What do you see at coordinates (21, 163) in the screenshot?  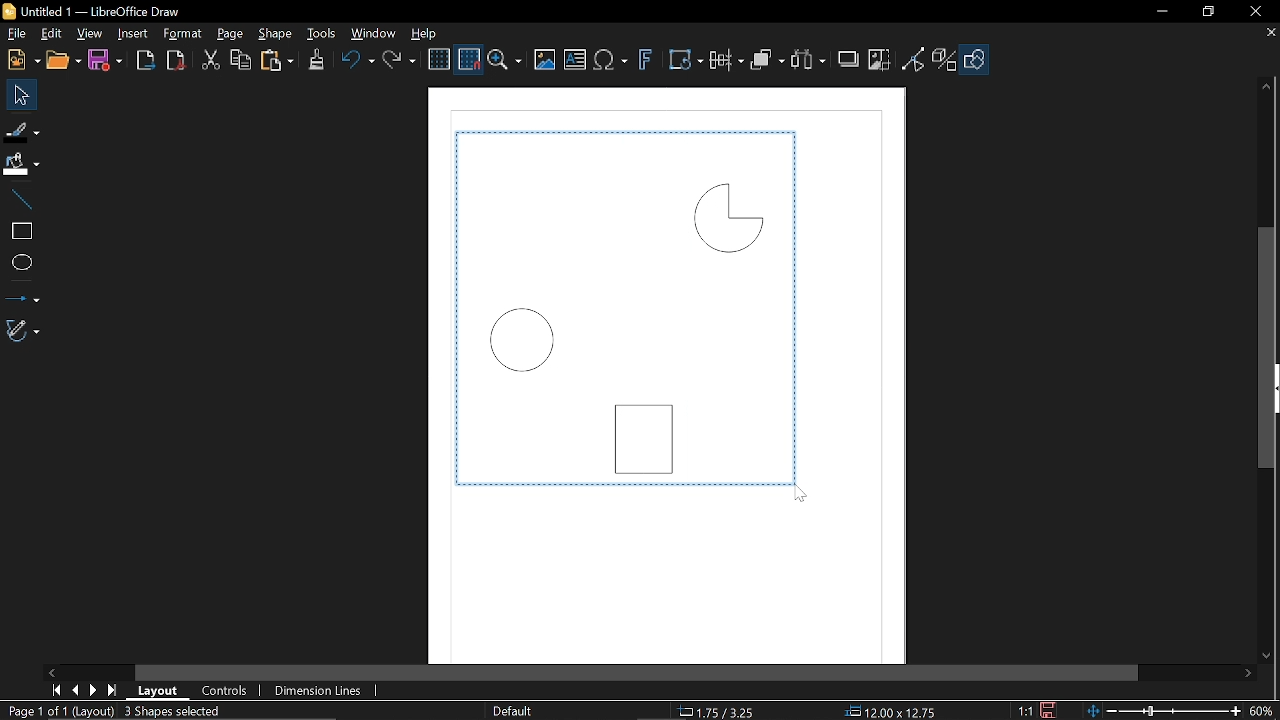 I see `Fill color` at bounding box center [21, 163].